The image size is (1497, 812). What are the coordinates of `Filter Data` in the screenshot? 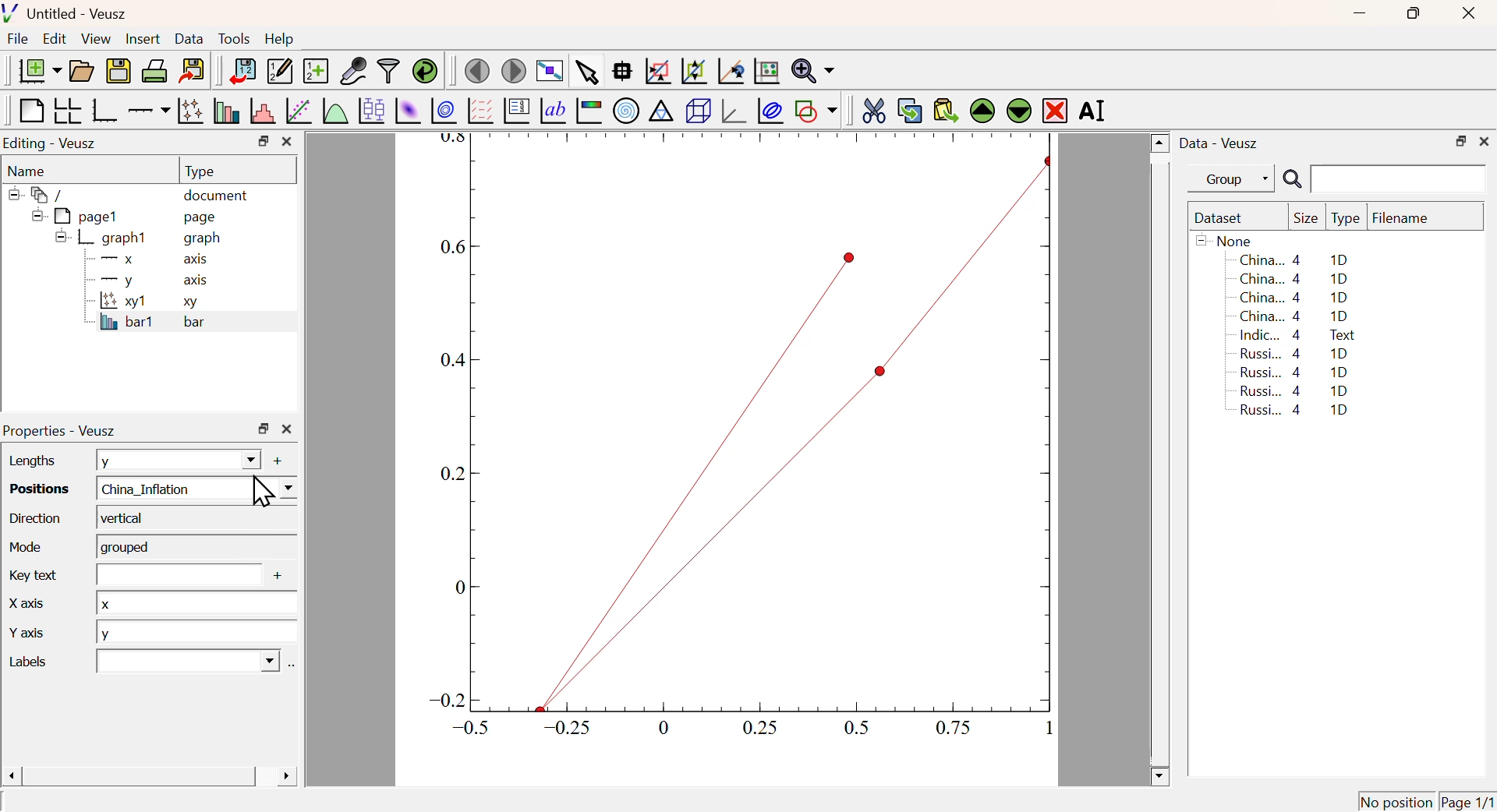 It's located at (388, 69).